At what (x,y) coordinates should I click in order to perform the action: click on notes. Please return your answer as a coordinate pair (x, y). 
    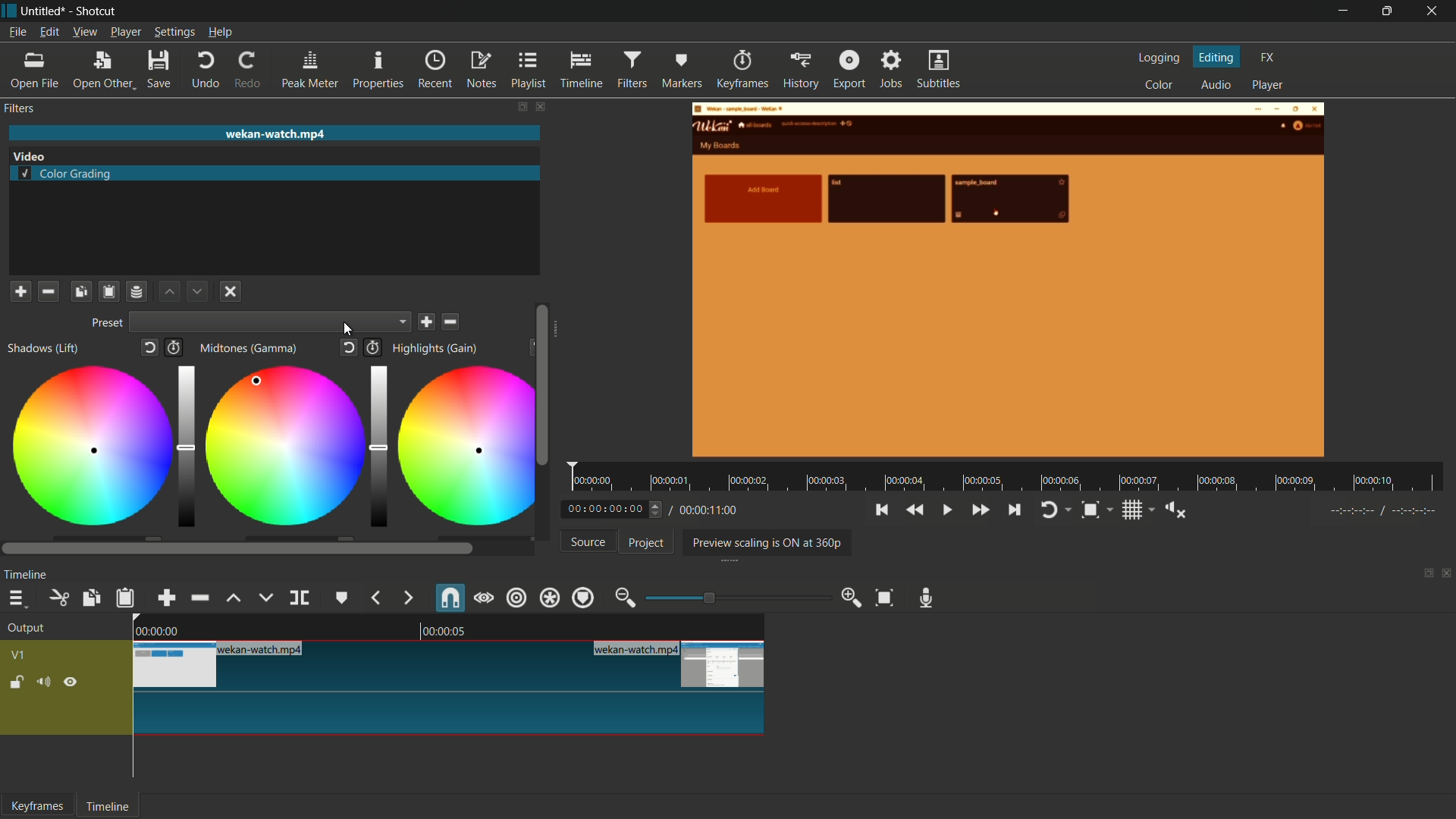
    Looking at the image, I should click on (482, 71).